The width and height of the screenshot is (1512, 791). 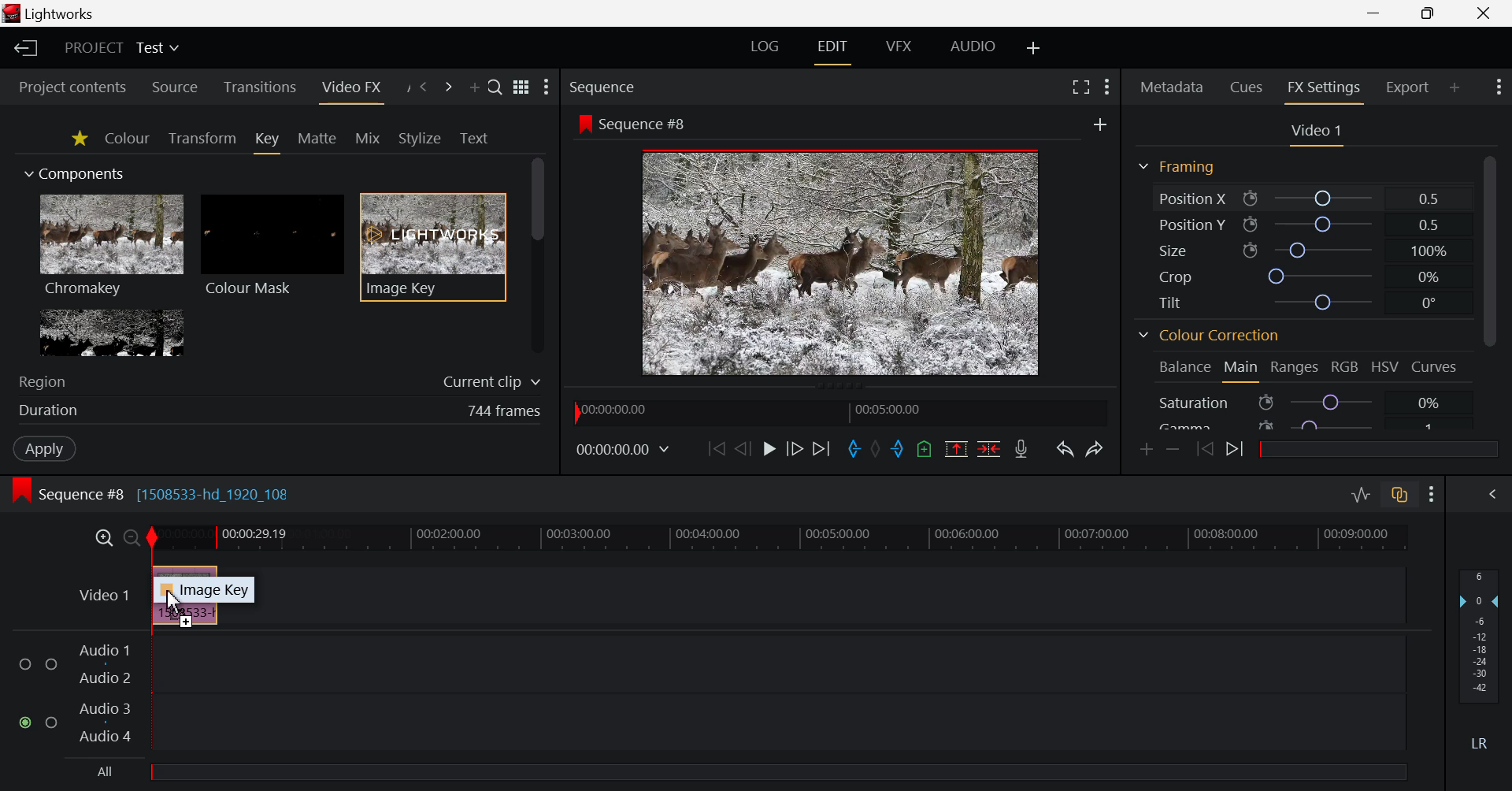 I want to click on Image Key, so click(x=433, y=246).